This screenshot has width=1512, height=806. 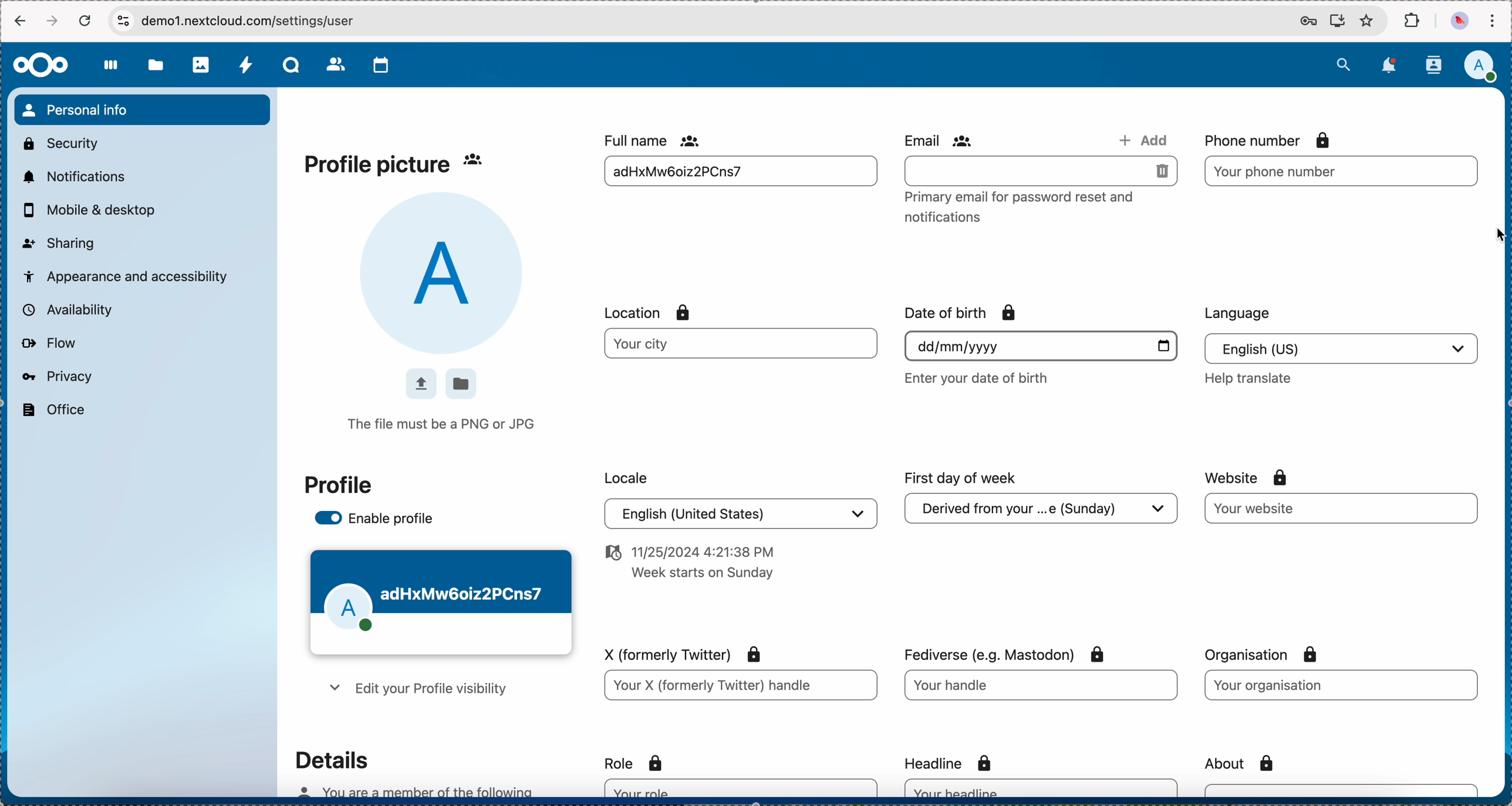 What do you see at coordinates (742, 343) in the screenshot?
I see `type here` at bounding box center [742, 343].